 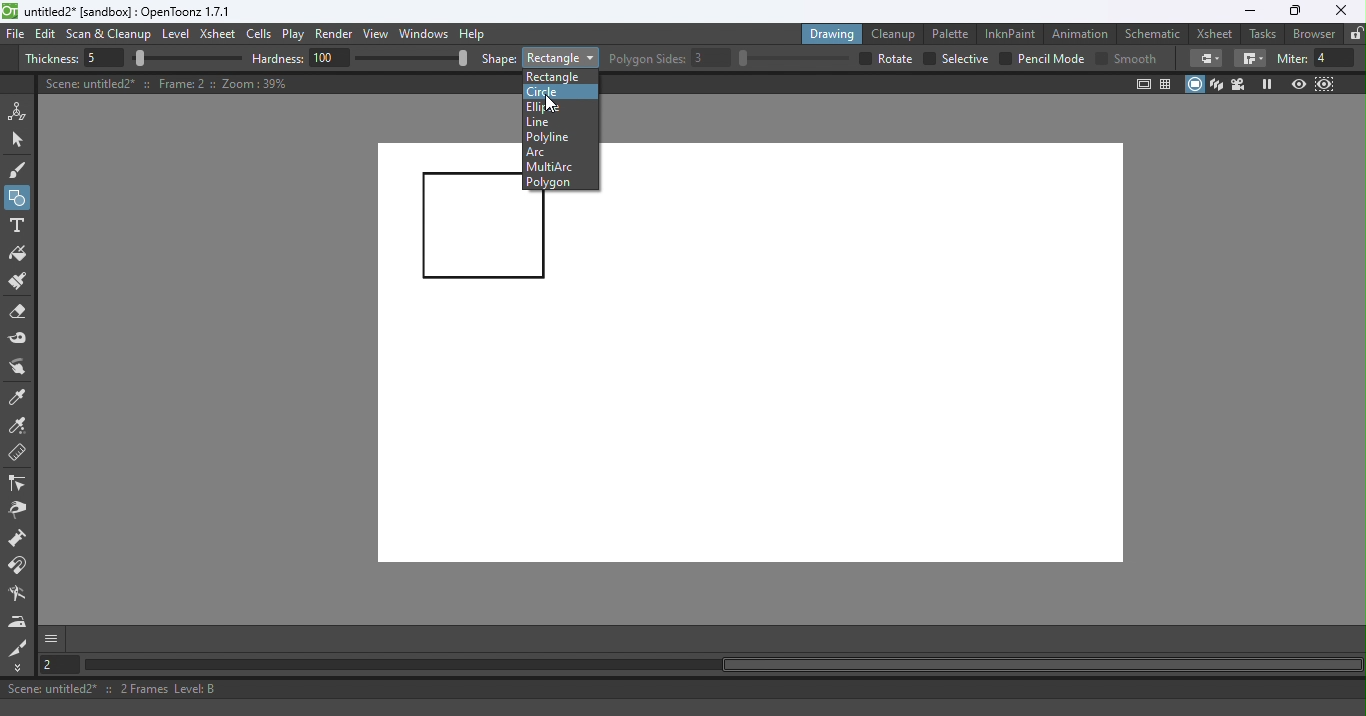 What do you see at coordinates (1311, 33) in the screenshot?
I see `Browser` at bounding box center [1311, 33].